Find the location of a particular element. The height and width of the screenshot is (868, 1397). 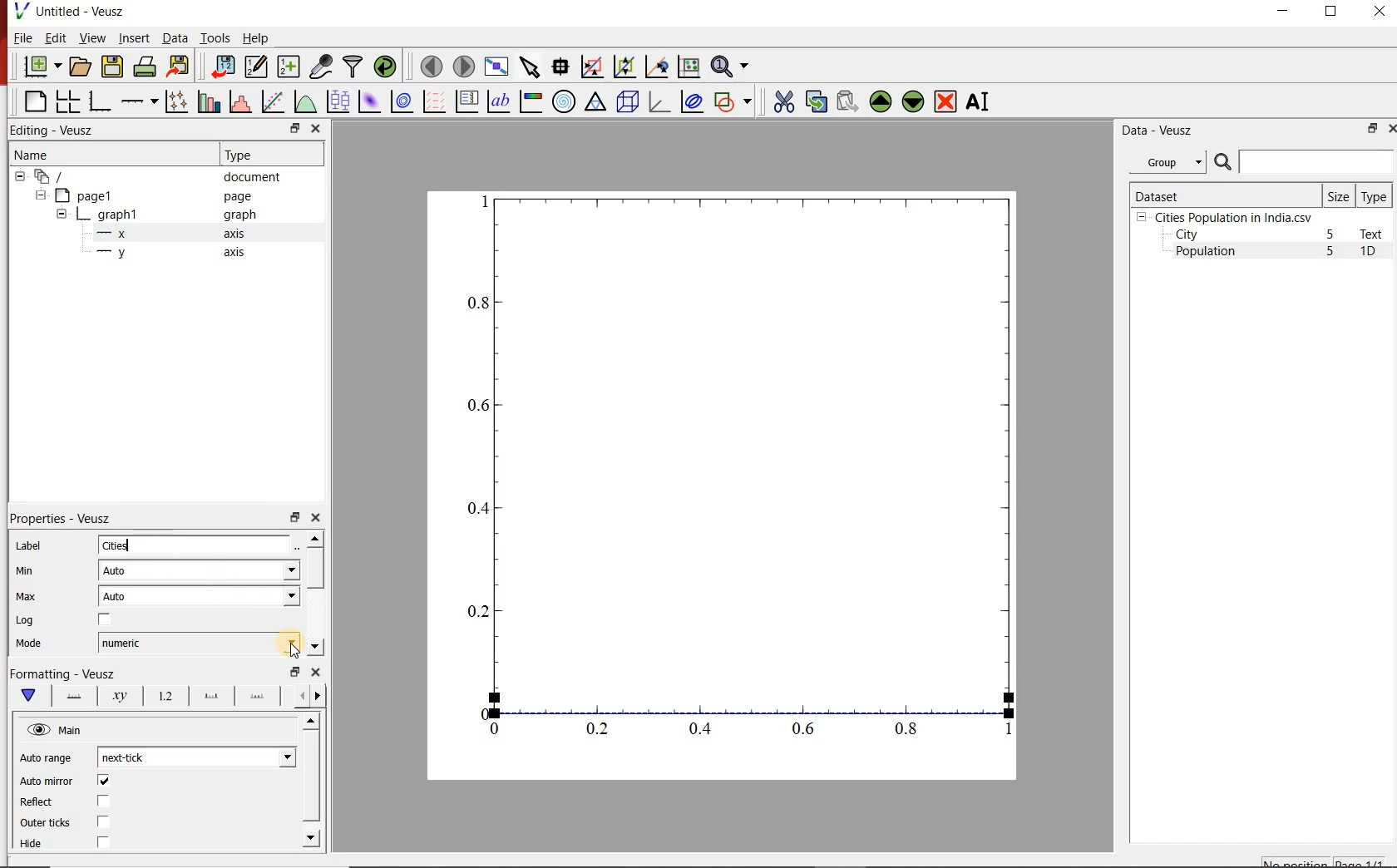

x axis is located at coordinates (173, 234).